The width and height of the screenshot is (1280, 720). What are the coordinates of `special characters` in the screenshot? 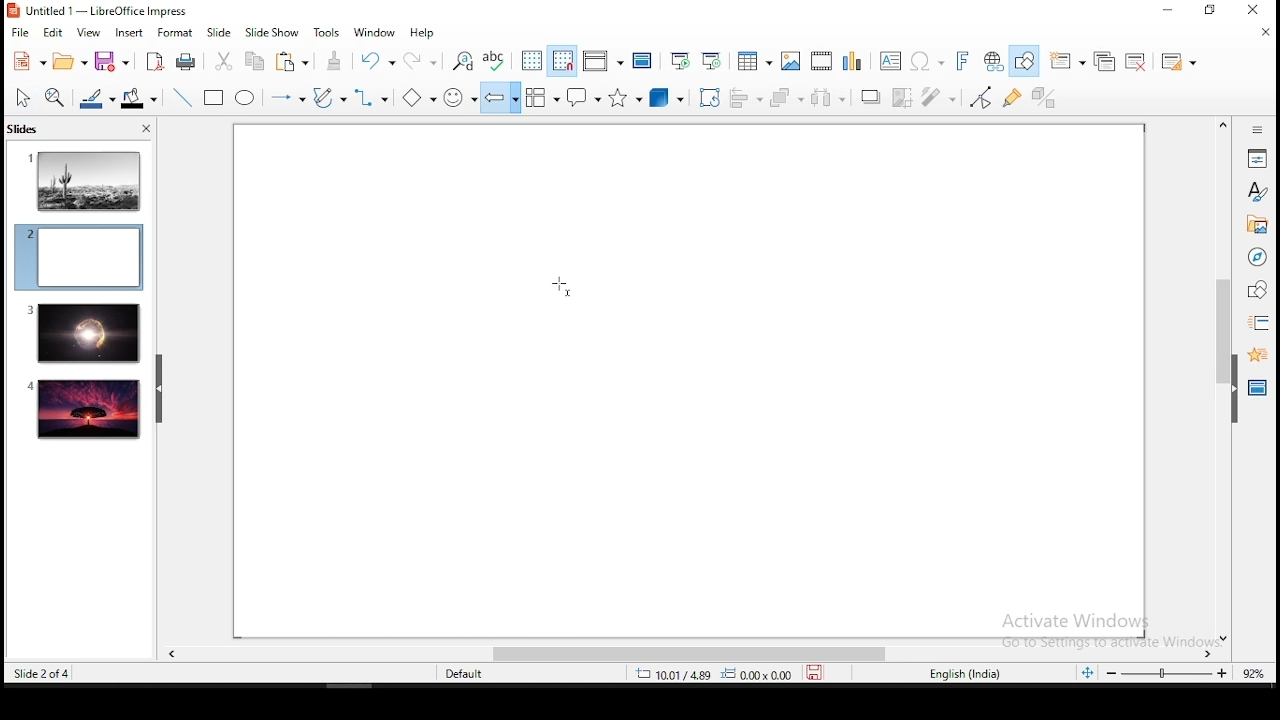 It's located at (924, 62).